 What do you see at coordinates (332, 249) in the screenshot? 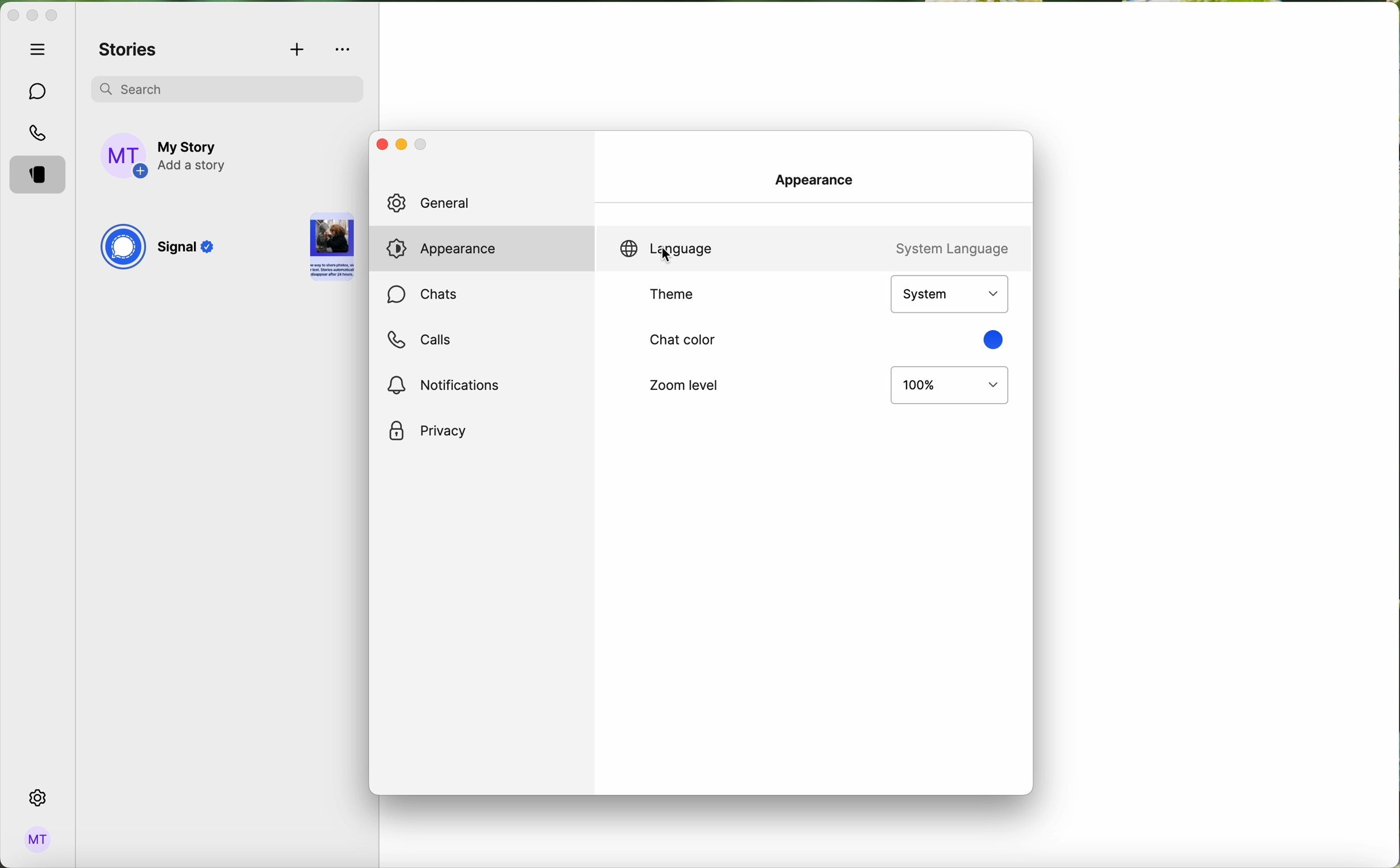
I see `story` at bounding box center [332, 249].